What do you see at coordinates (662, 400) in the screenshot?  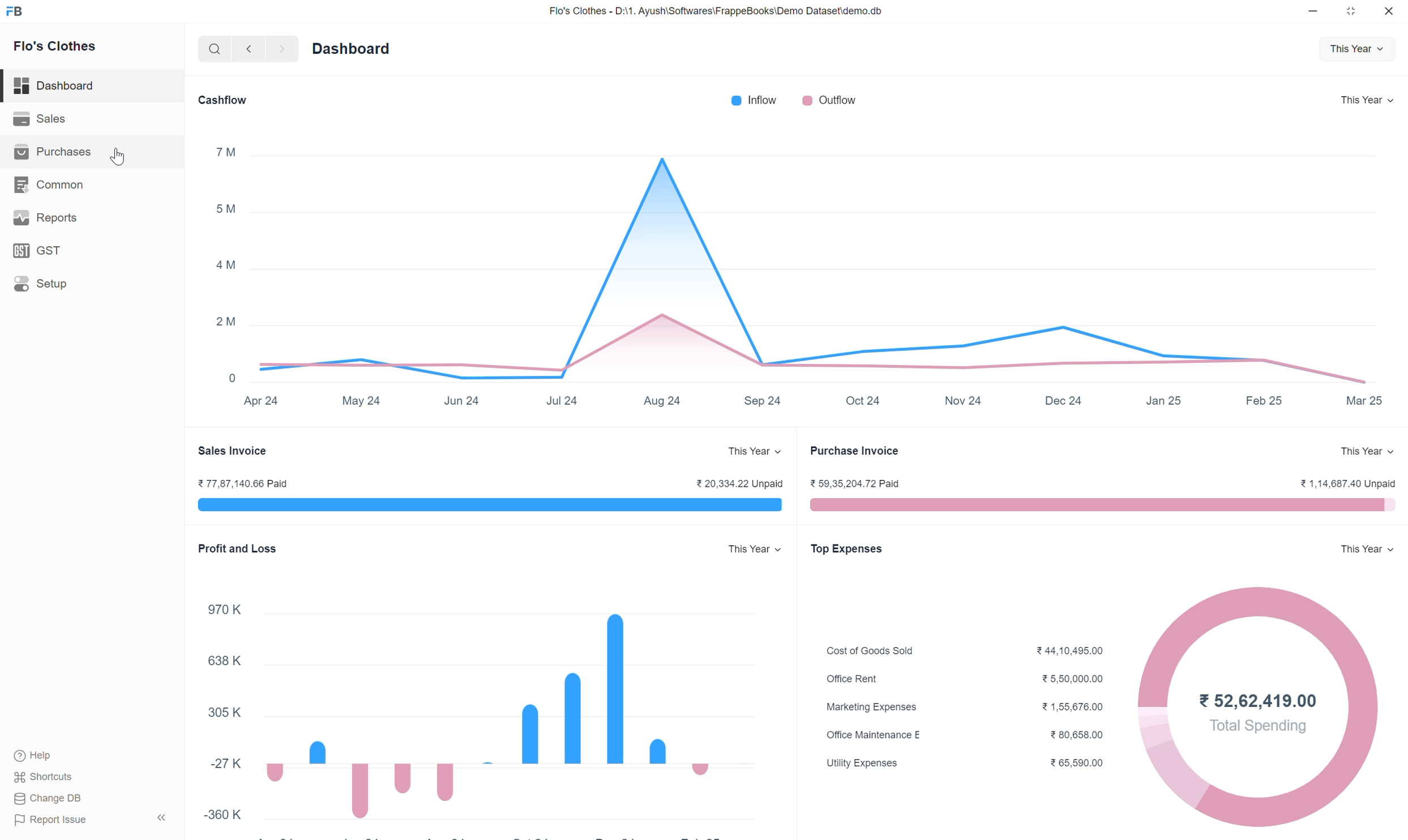 I see `Aug 24` at bounding box center [662, 400].